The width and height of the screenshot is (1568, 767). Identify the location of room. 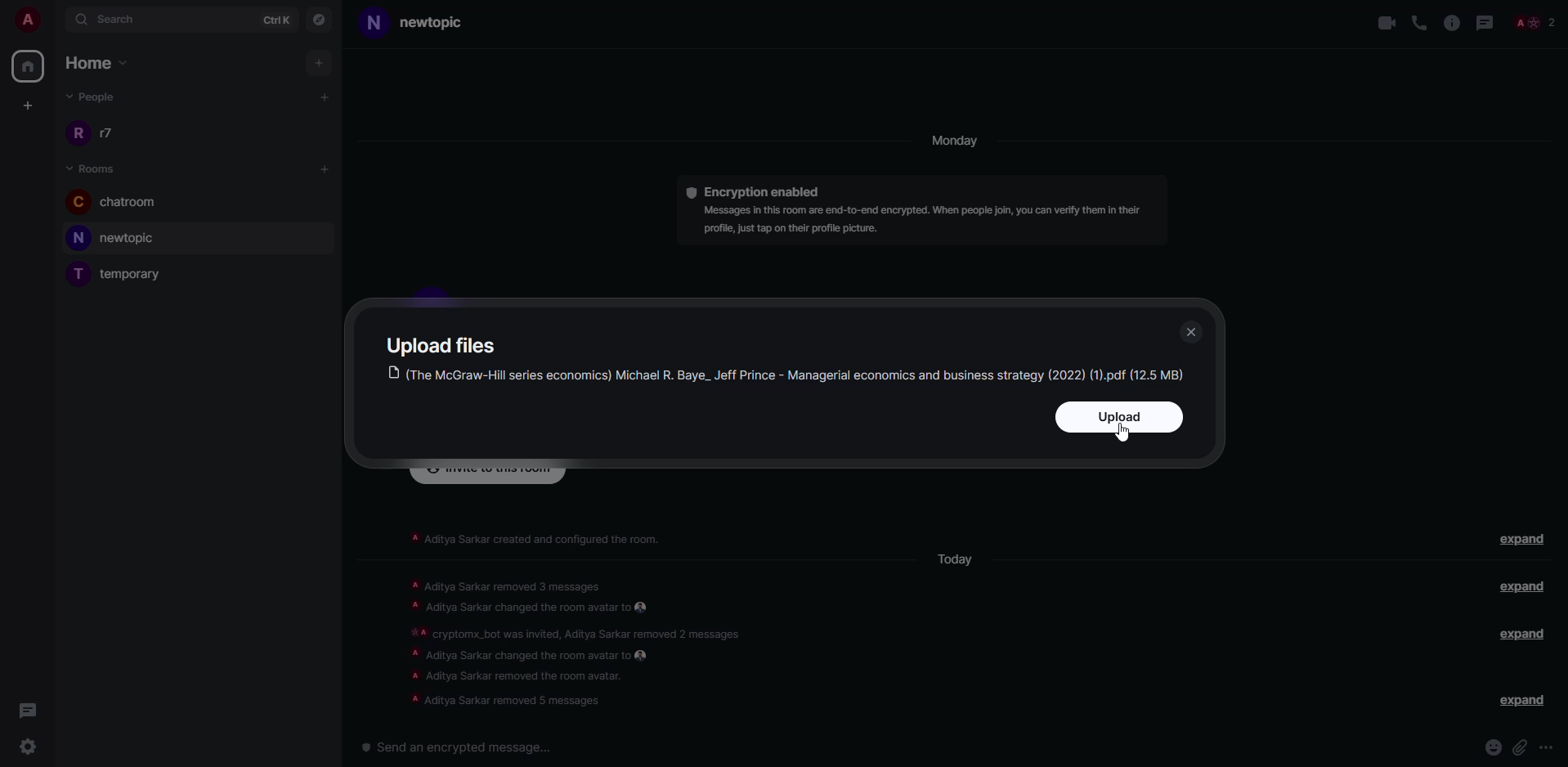
(121, 203).